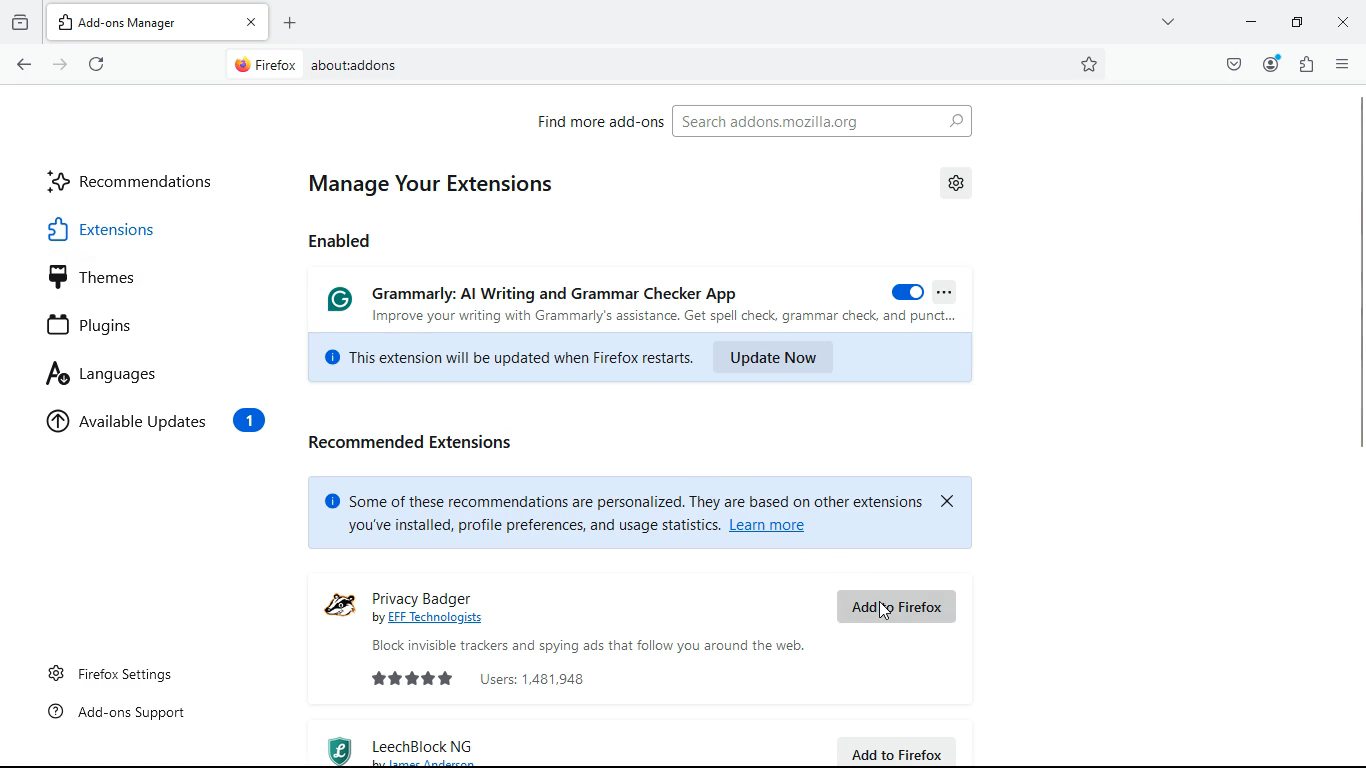  I want to click on maximize, so click(1295, 22).